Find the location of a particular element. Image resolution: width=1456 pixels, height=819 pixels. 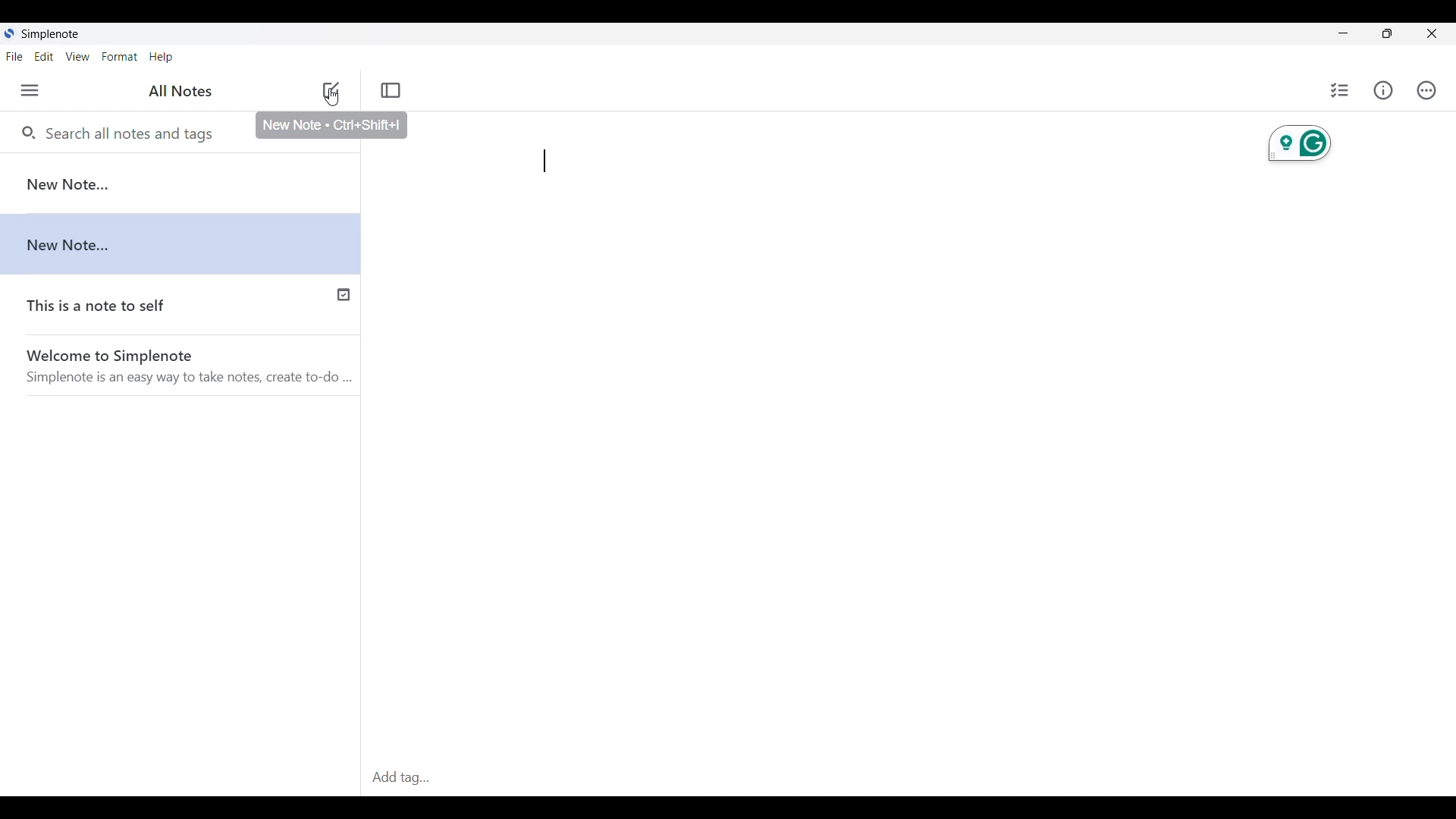

New Note +Ctrl +Shift +I  is located at coordinates (334, 125).